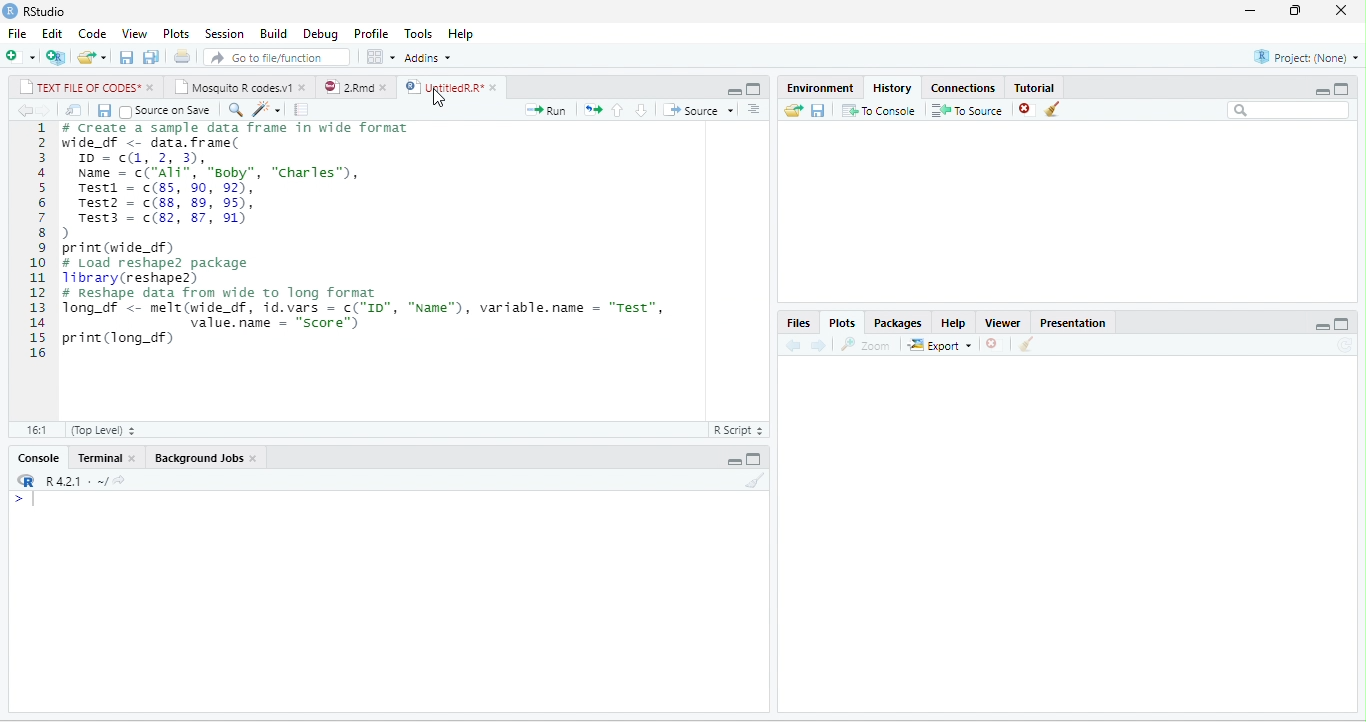  What do you see at coordinates (460, 34) in the screenshot?
I see `Help` at bounding box center [460, 34].